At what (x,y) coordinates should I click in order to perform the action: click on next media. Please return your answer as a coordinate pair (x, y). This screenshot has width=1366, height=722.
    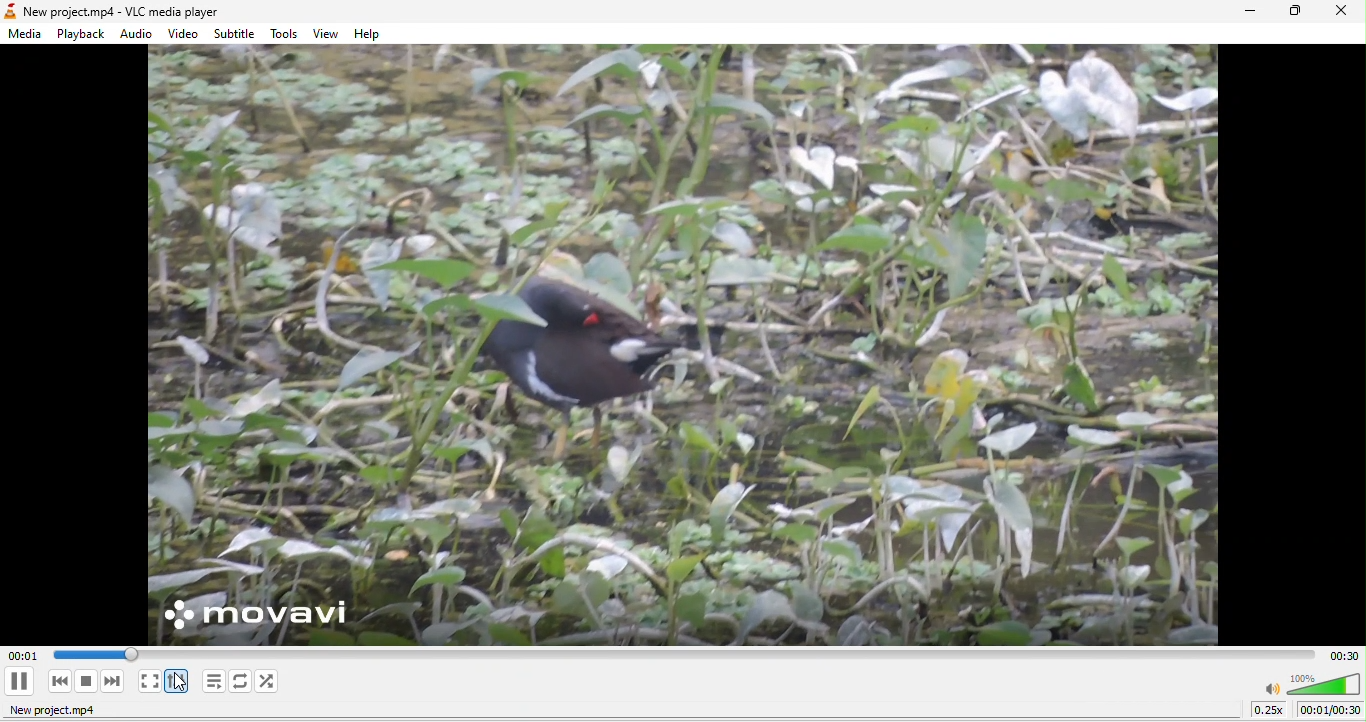
    Looking at the image, I should click on (112, 681).